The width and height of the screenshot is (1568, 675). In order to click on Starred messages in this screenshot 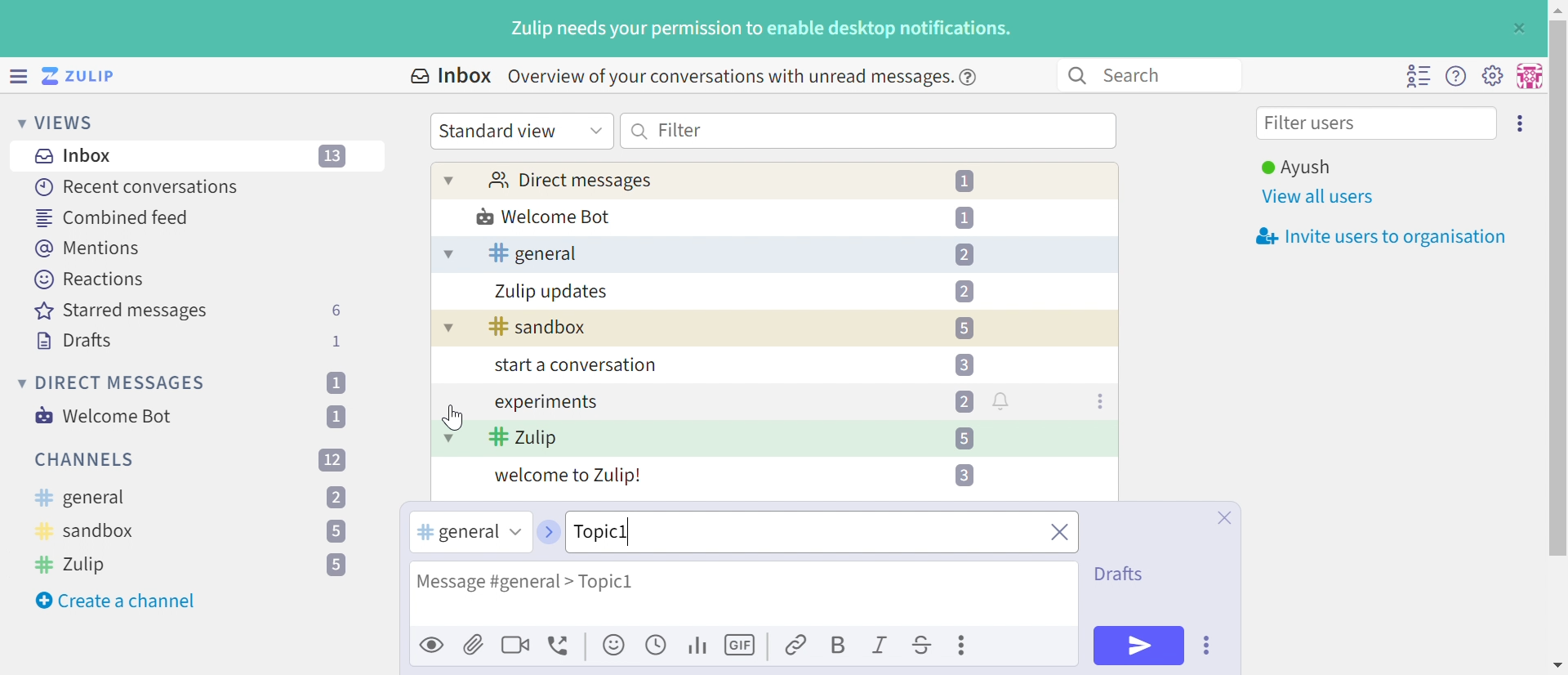, I will do `click(121, 312)`.